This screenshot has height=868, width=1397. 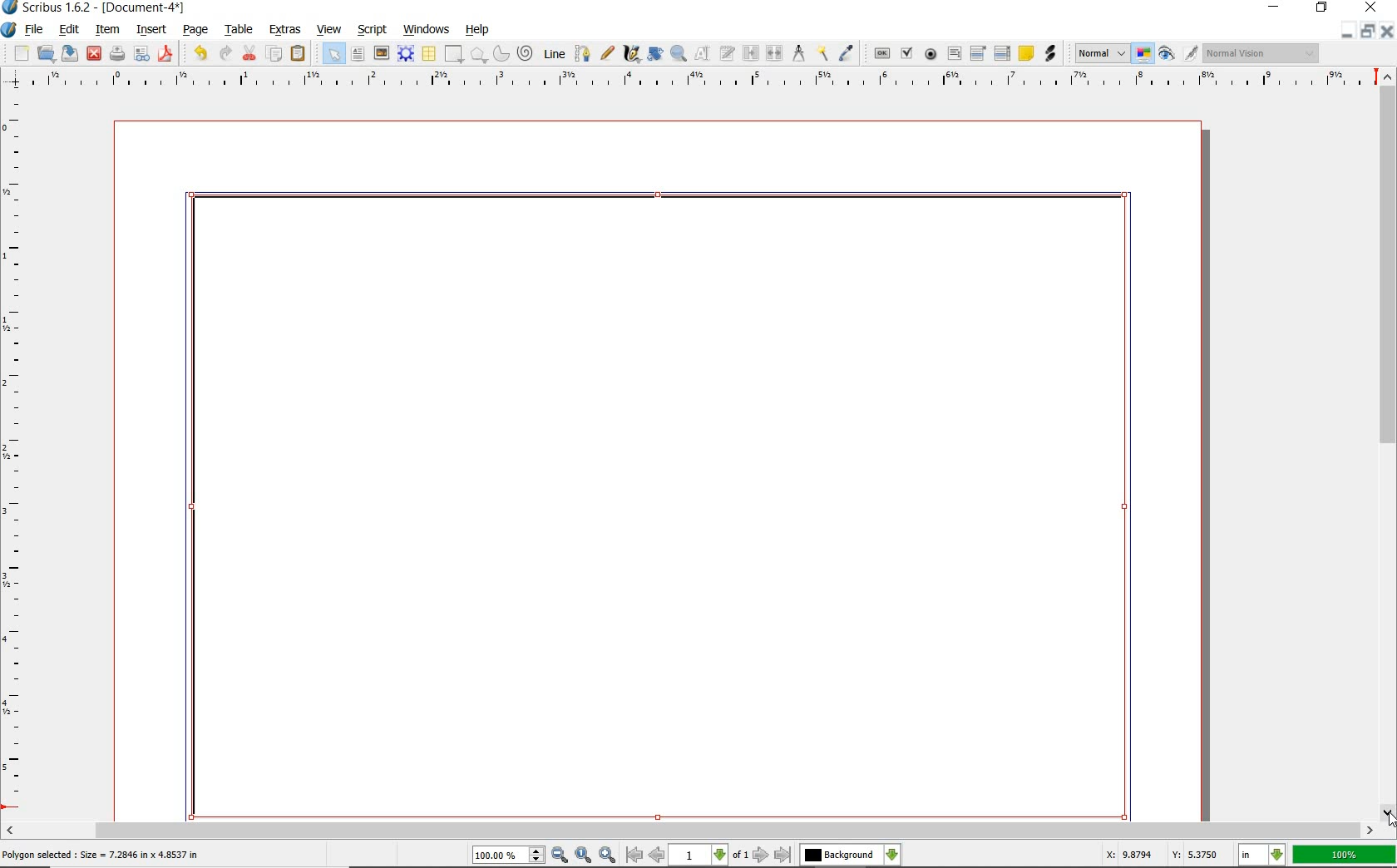 What do you see at coordinates (954, 53) in the screenshot?
I see `pdf text field` at bounding box center [954, 53].